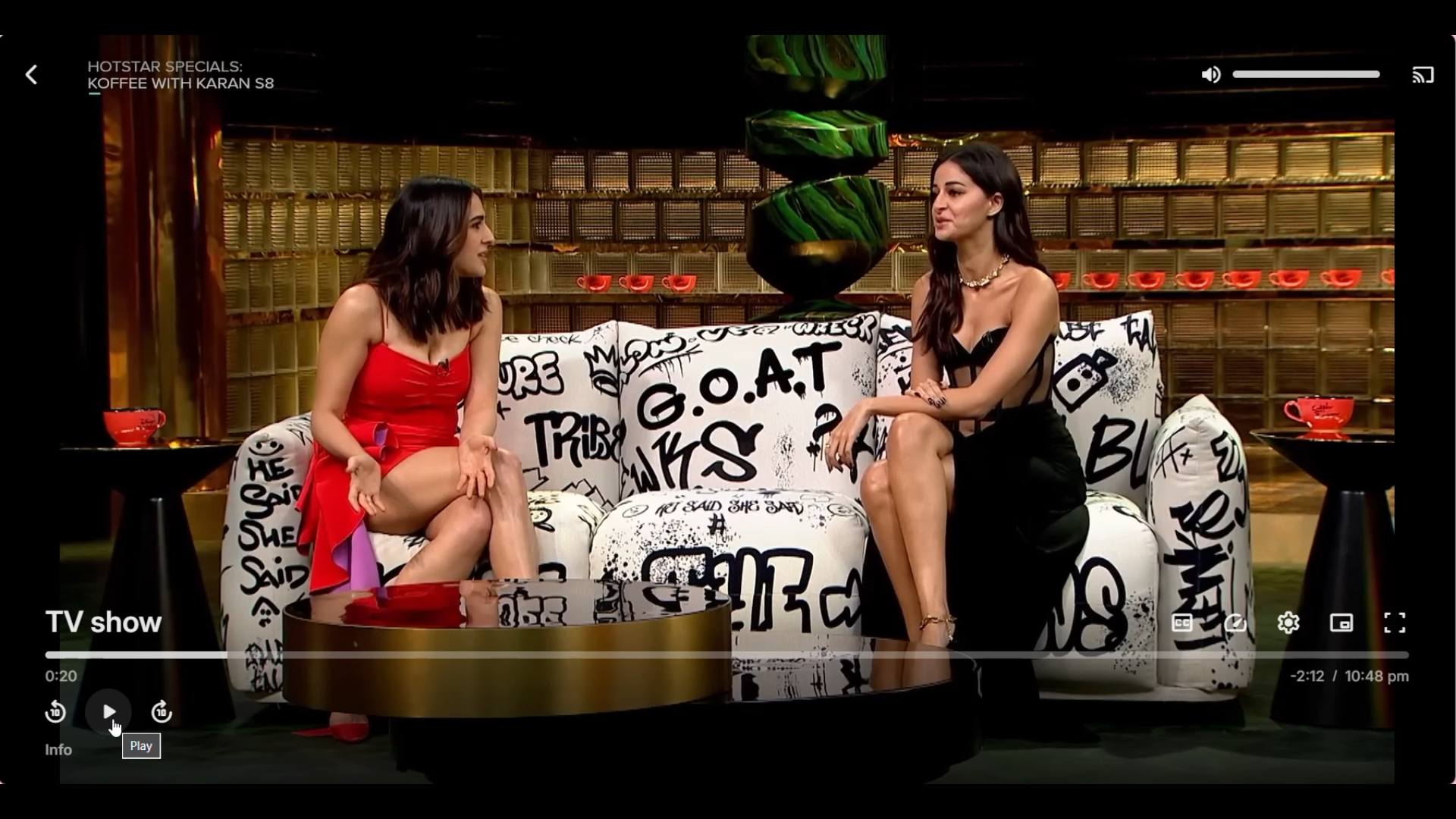  What do you see at coordinates (59, 750) in the screenshot?
I see `Click to see video information ` at bounding box center [59, 750].